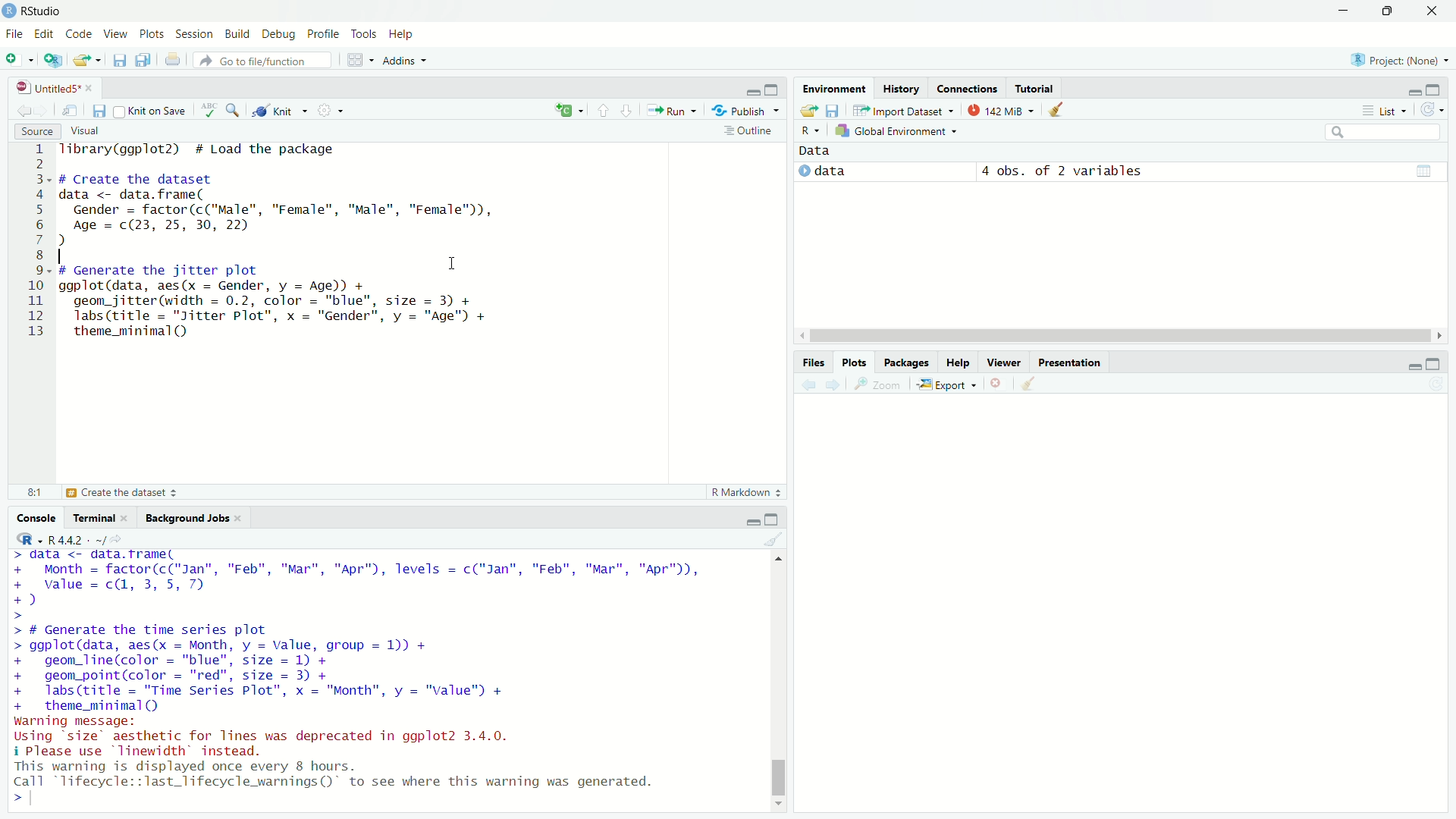 This screenshot has width=1456, height=819. What do you see at coordinates (91, 516) in the screenshot?
I see `terminal` at bounding box center [91, 516].